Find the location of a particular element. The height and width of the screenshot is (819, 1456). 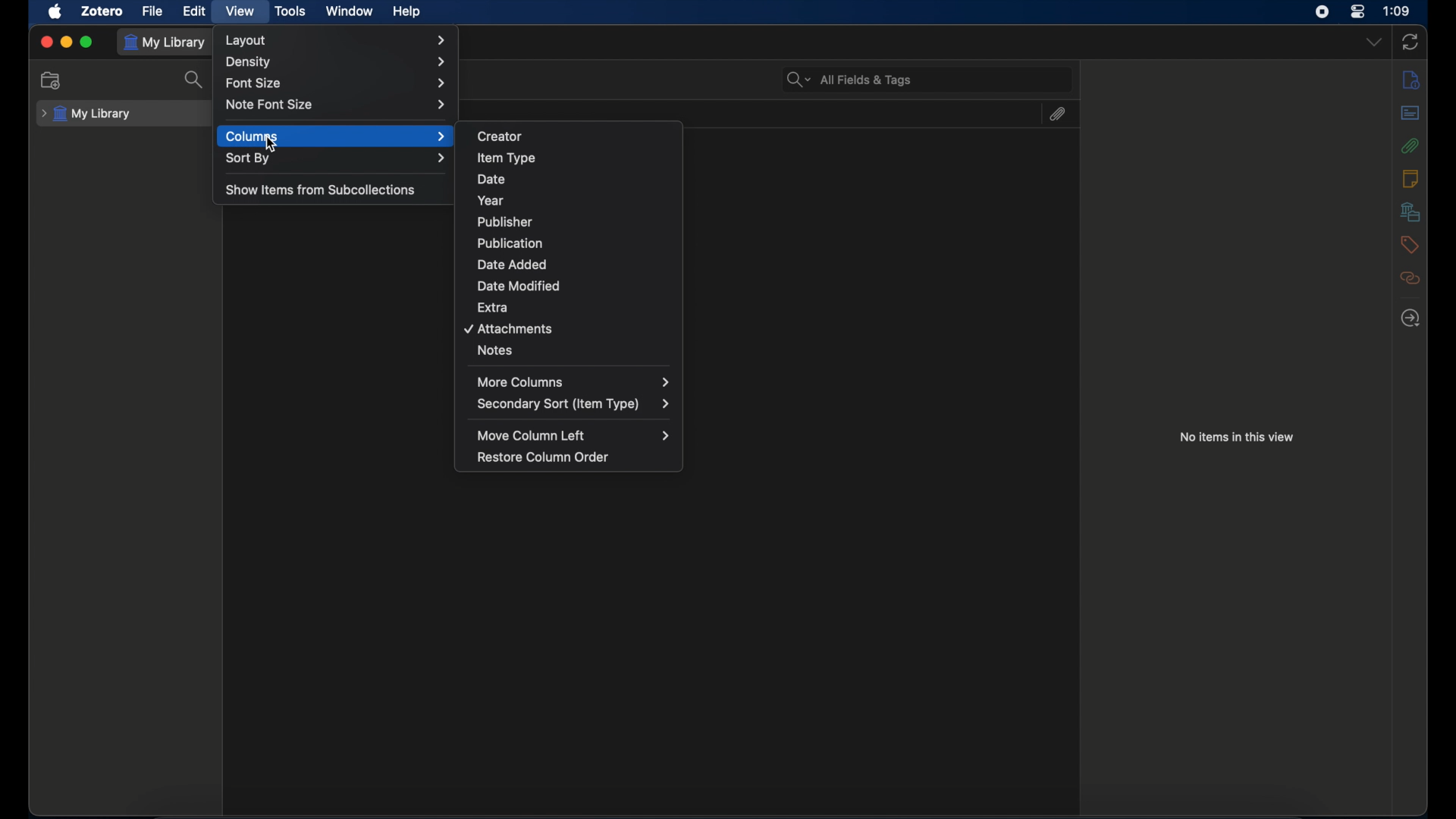

time is located at coordinates (1398, 10).